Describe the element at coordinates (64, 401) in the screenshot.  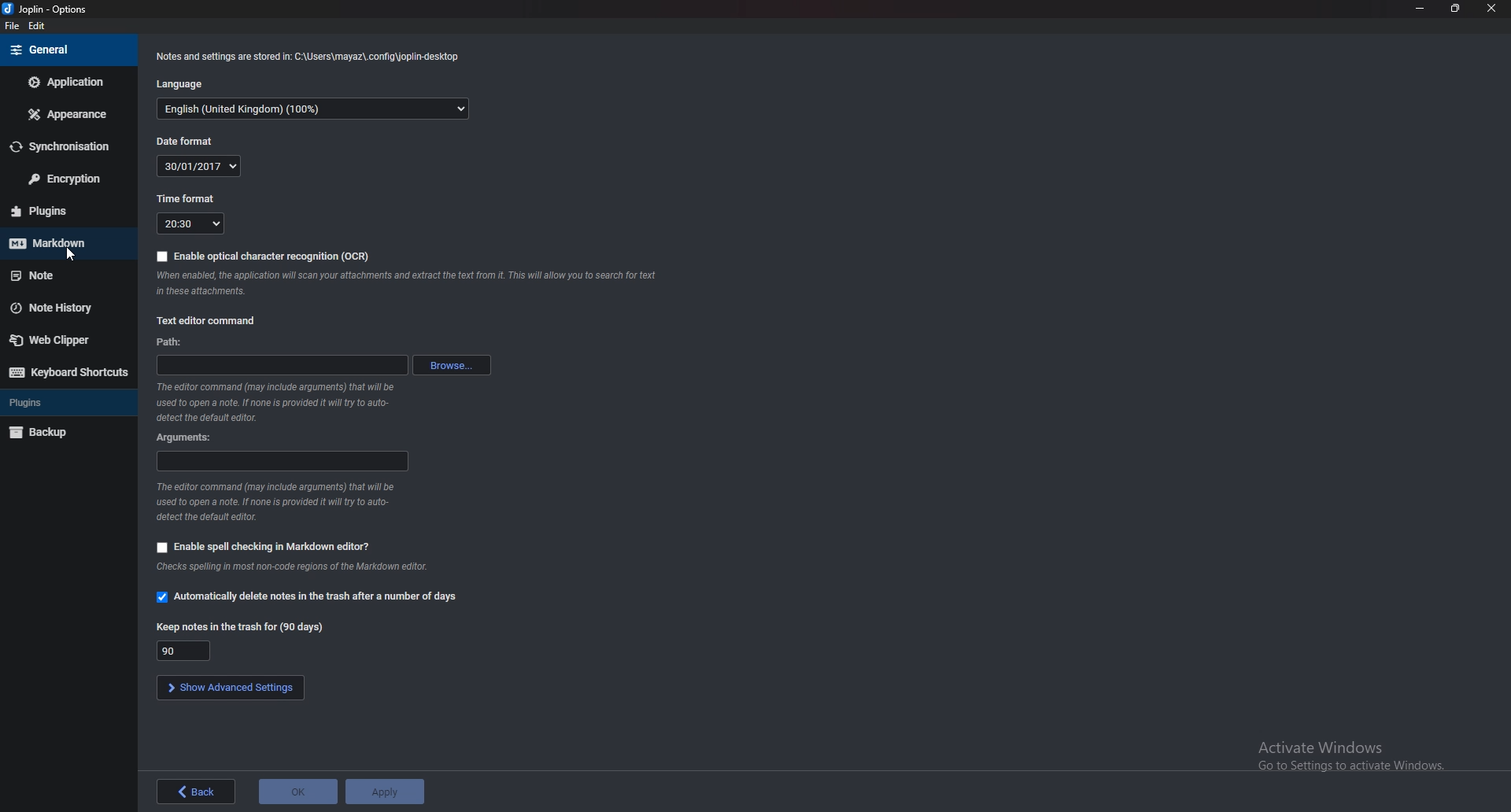
I see `Plugins` at that location.